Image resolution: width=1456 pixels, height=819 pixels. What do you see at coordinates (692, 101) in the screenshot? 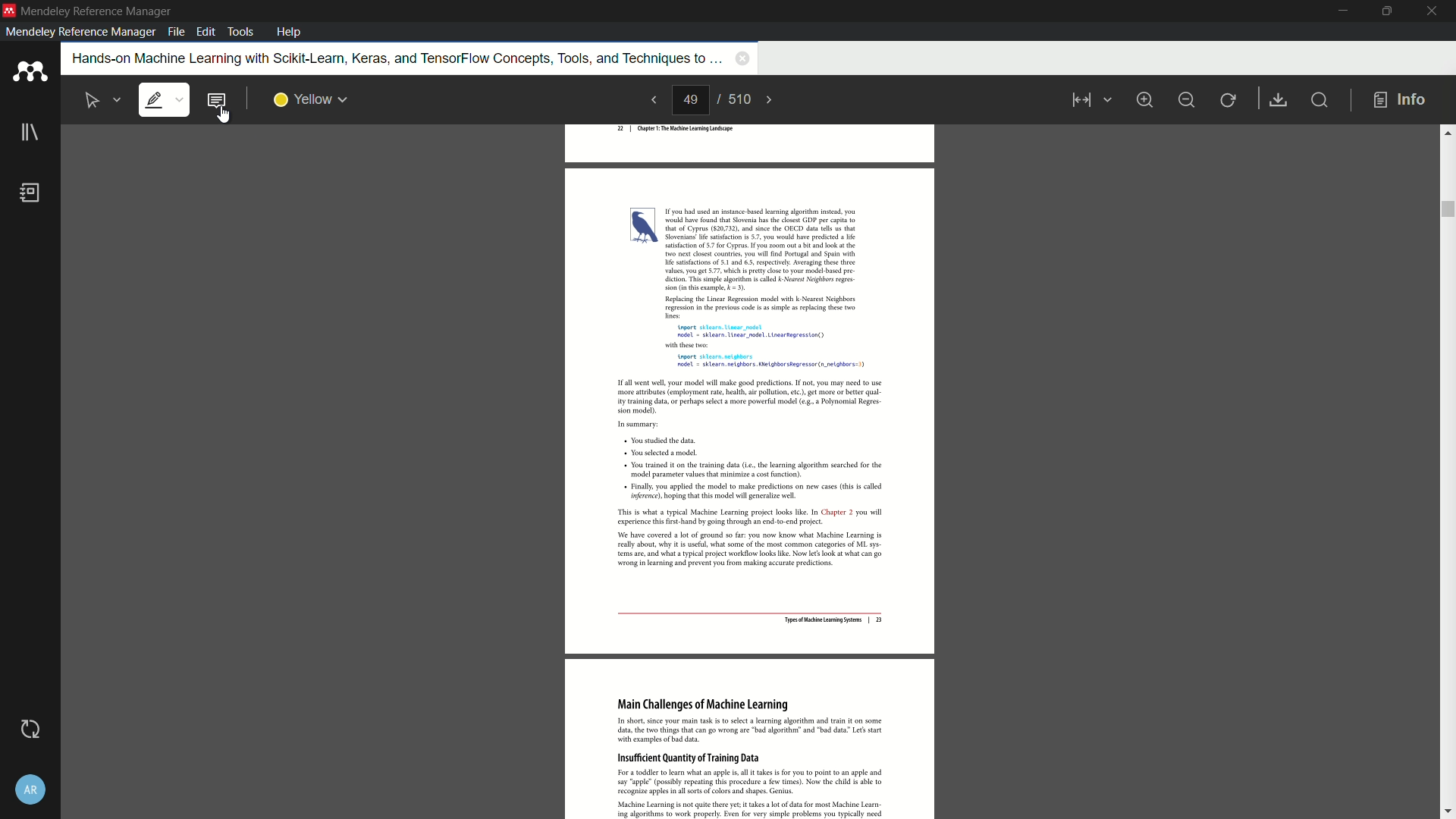
I see `current page` at bounding box center [692, 101].